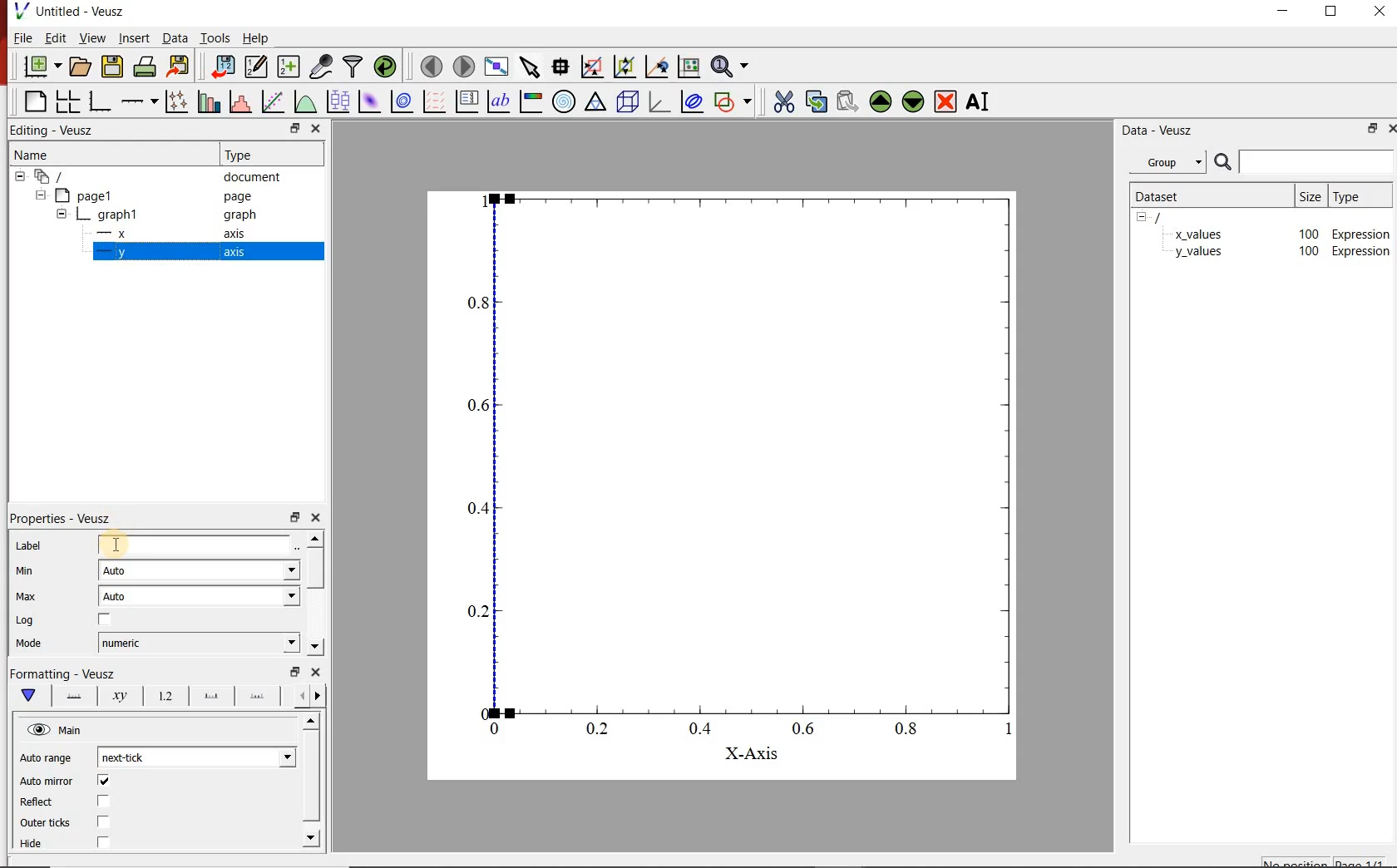 This screenshot has width=1397, height=868. What do you see at coordinates (303, 100) in the screenshot?
I see `plot a function` at bounding box center [303, 100].